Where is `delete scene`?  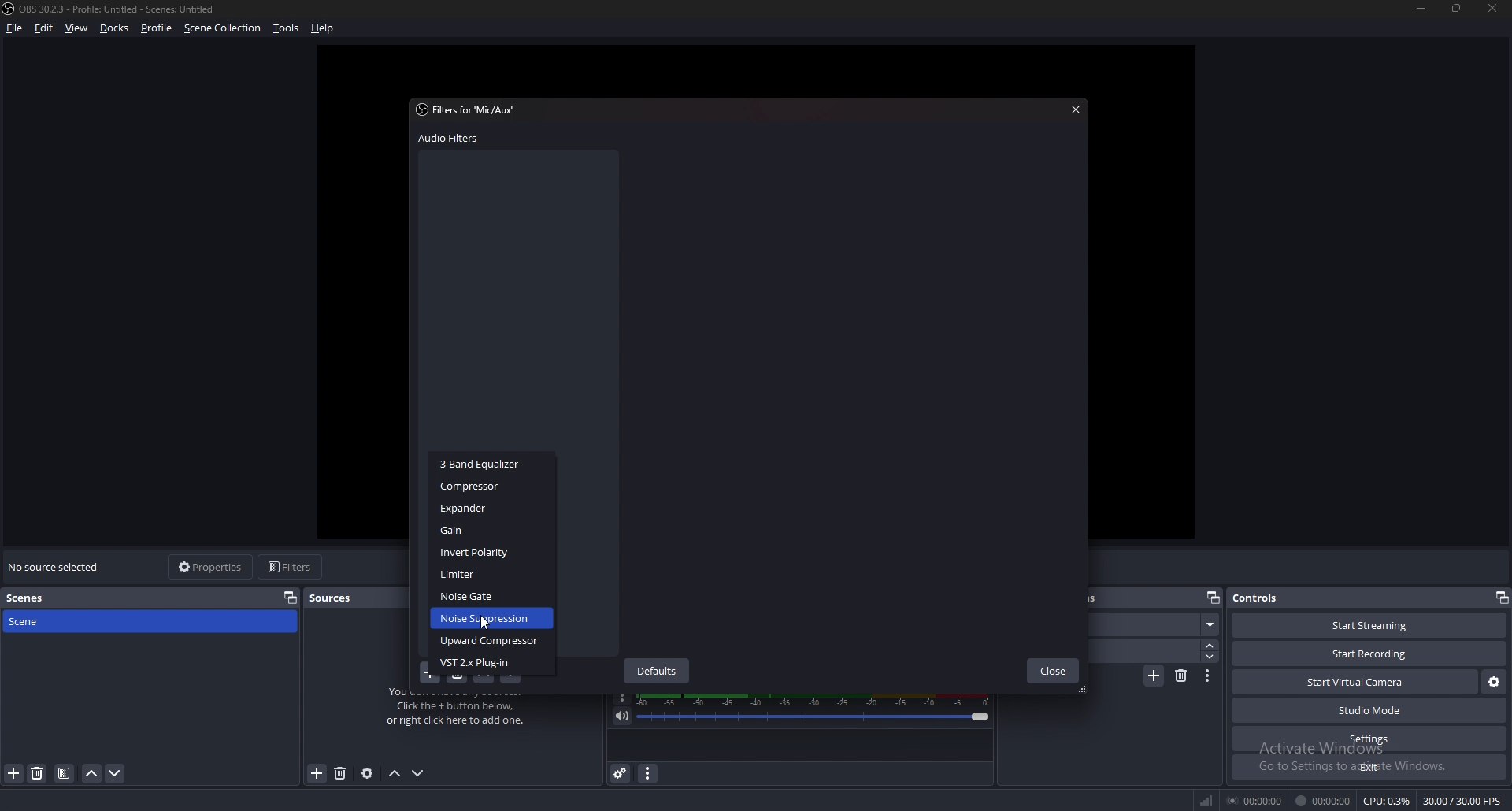 delete scene is located at coordinates (39, 773).